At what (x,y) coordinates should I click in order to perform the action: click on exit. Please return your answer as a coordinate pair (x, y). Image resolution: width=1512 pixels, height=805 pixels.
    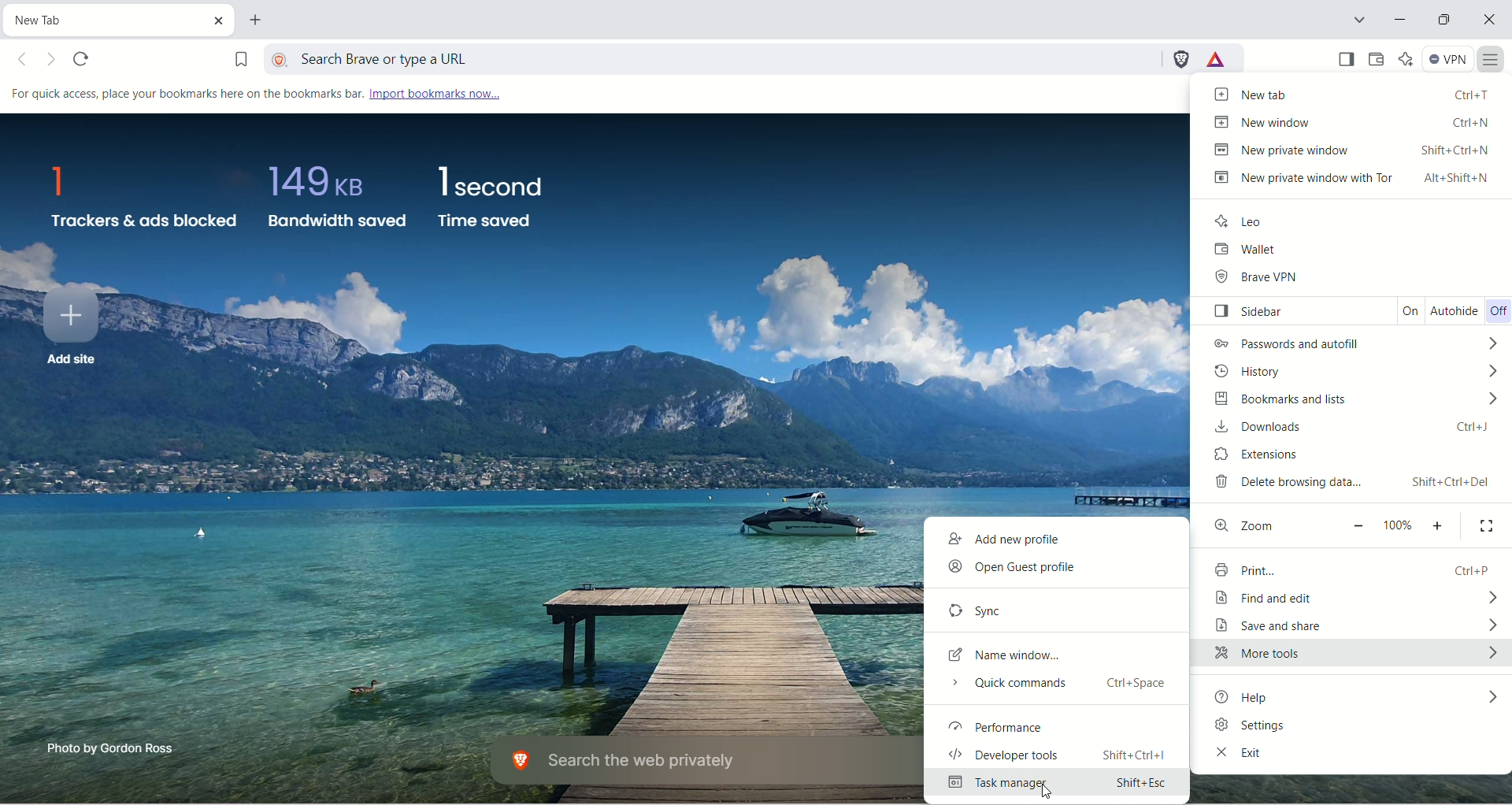
    Looking at the image, I should click on (1351, 757).